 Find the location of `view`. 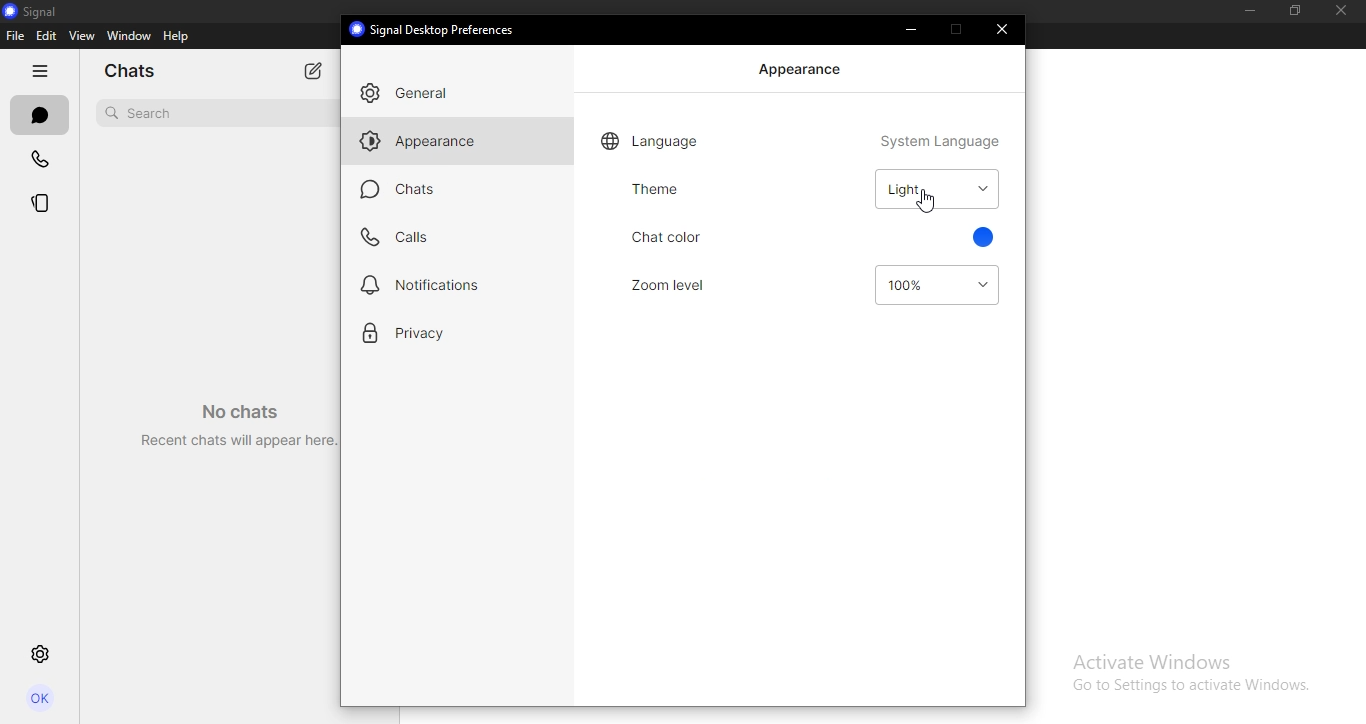

view is located at coordinates (81, 36).